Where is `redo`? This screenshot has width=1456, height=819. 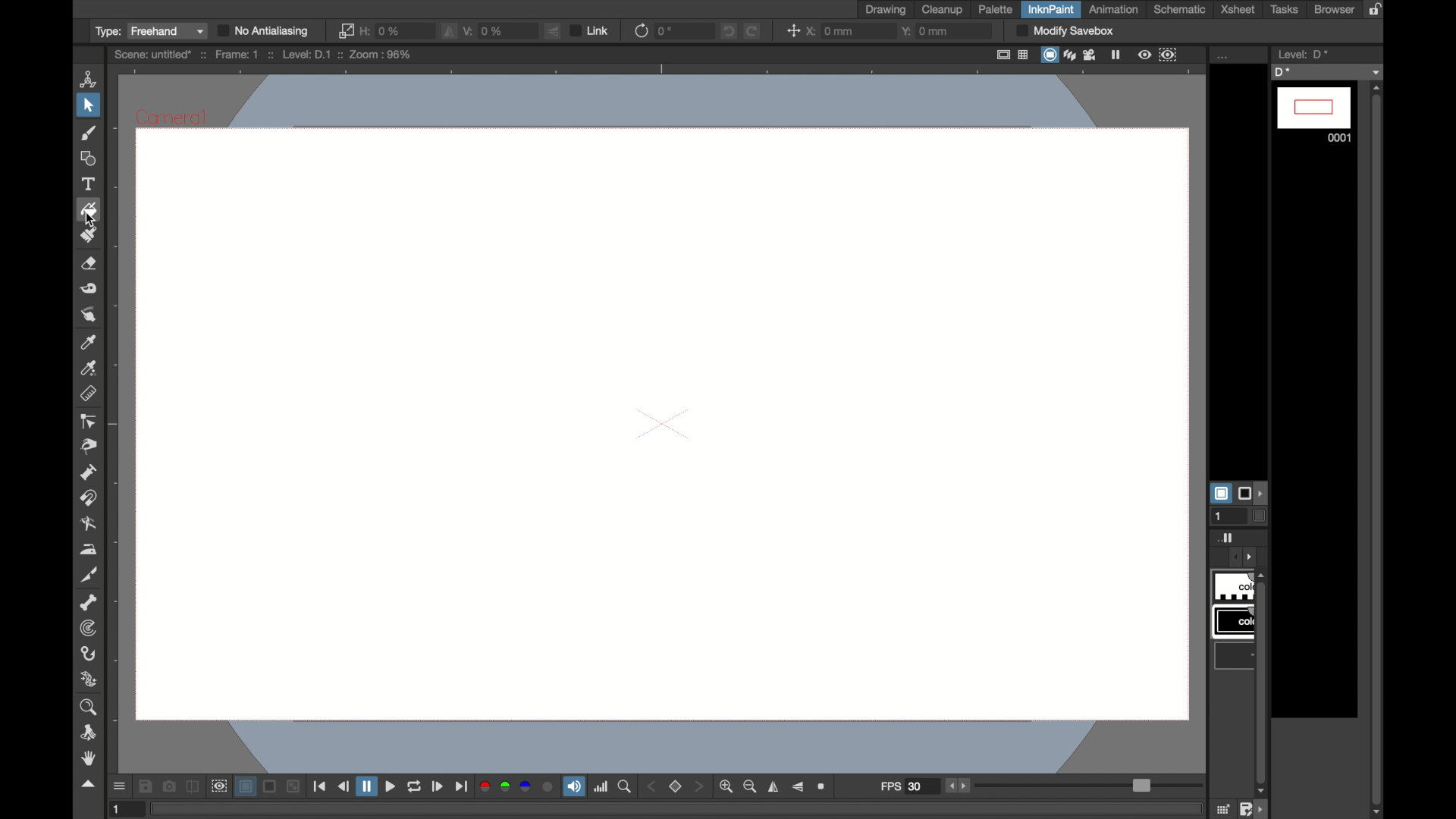 redo is located at coordinates (752, 30).